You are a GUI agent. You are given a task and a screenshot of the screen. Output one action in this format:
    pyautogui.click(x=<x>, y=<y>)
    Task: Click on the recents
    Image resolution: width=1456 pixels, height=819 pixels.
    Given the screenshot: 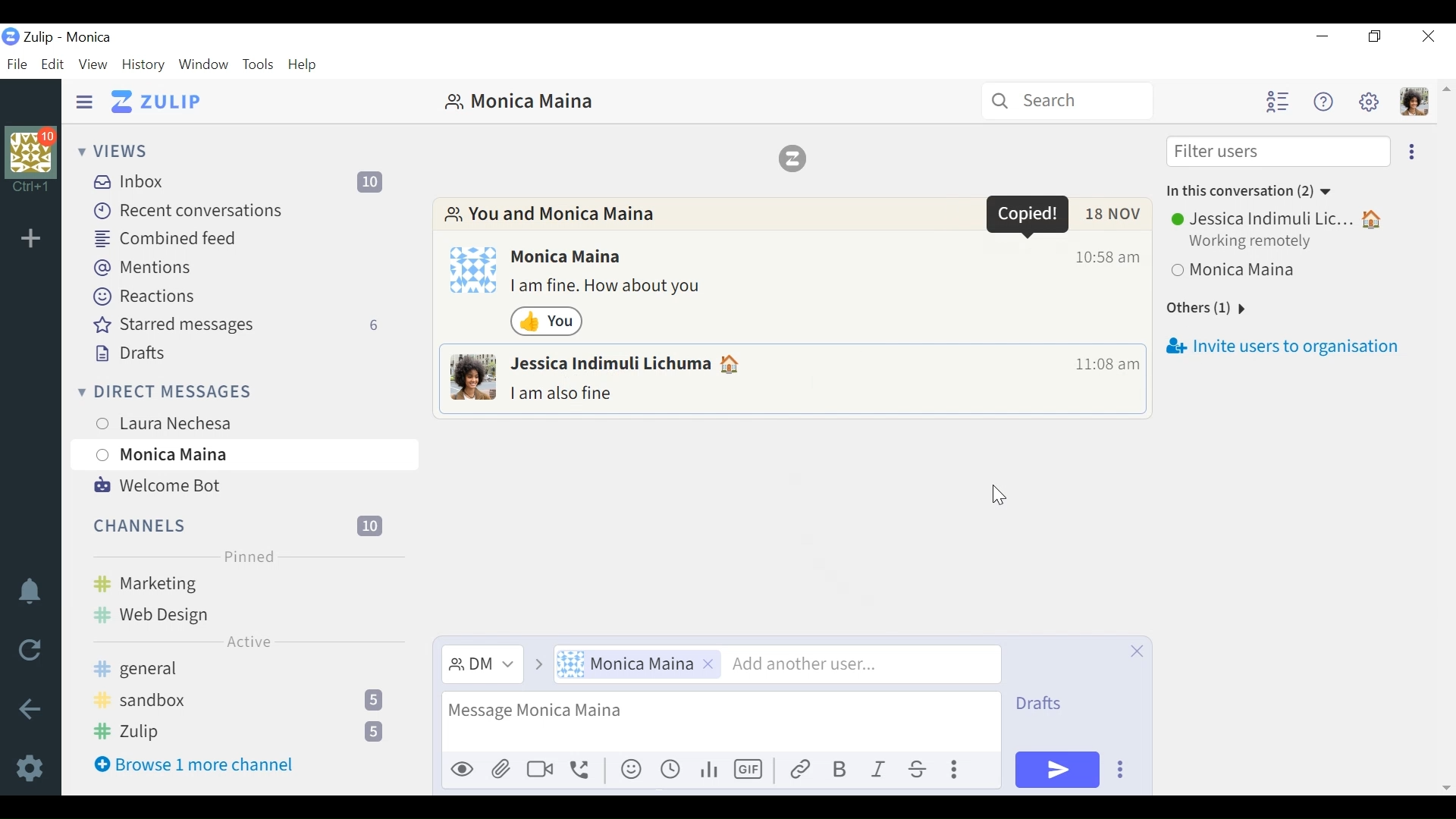 What is the action you would take?
    pyautogui.click(x=673, y=769)
    